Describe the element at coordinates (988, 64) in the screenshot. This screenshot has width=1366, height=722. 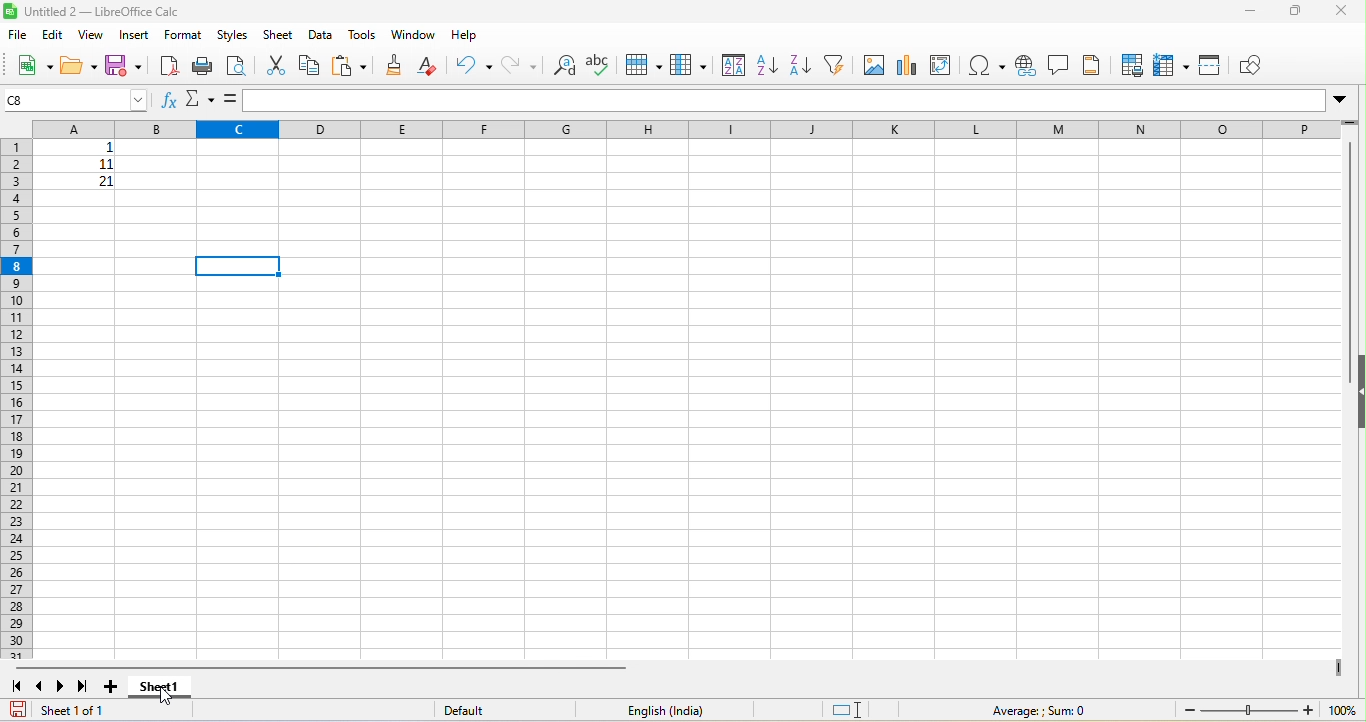
I see `special characters` at that location.